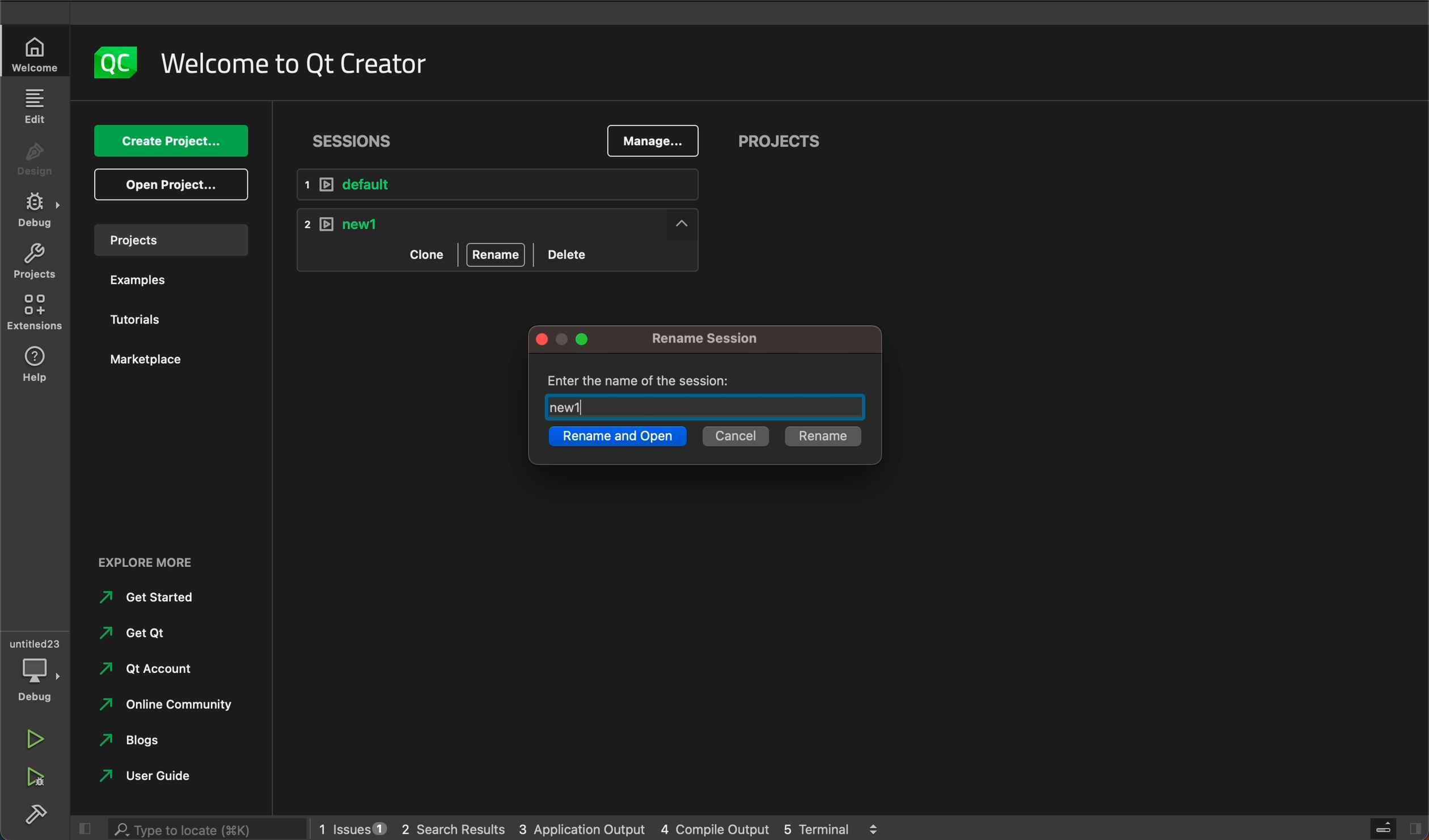  I want to click on debug, so click(36, 214).